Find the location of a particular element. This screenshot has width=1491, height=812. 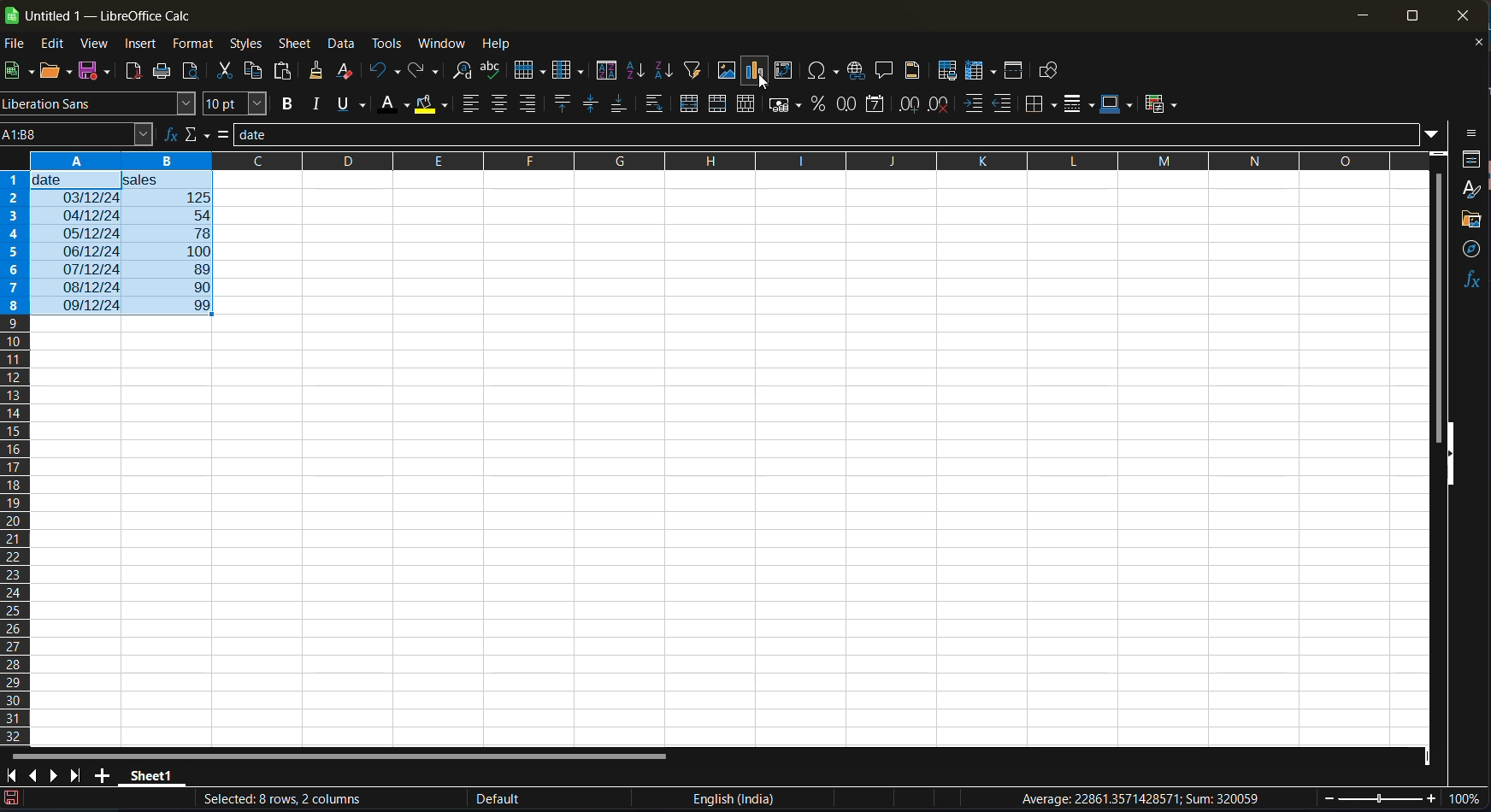

properties is located at coordinates (1471, 162).